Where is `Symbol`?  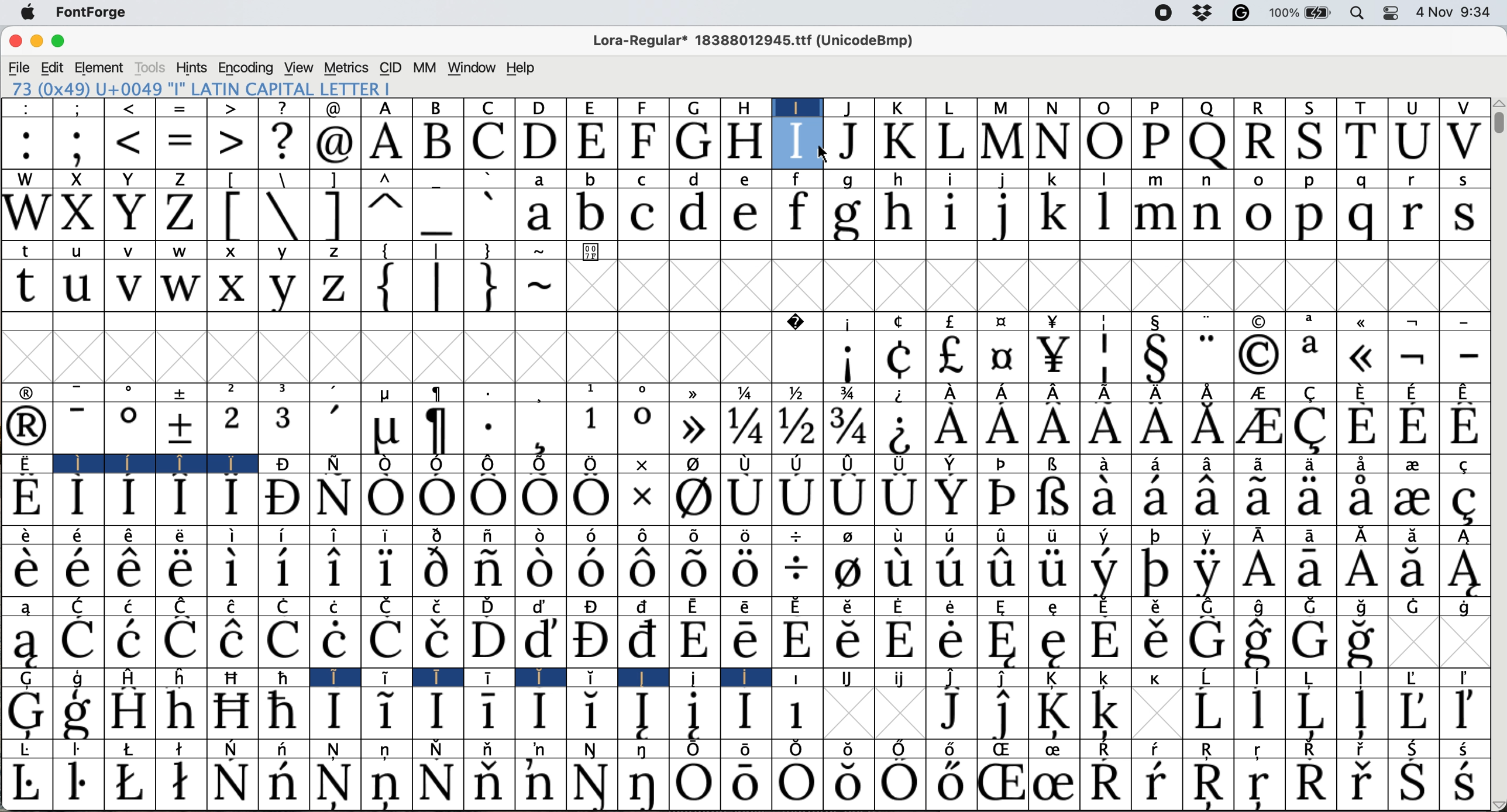
Symbol is located at coordinates (132, 462).